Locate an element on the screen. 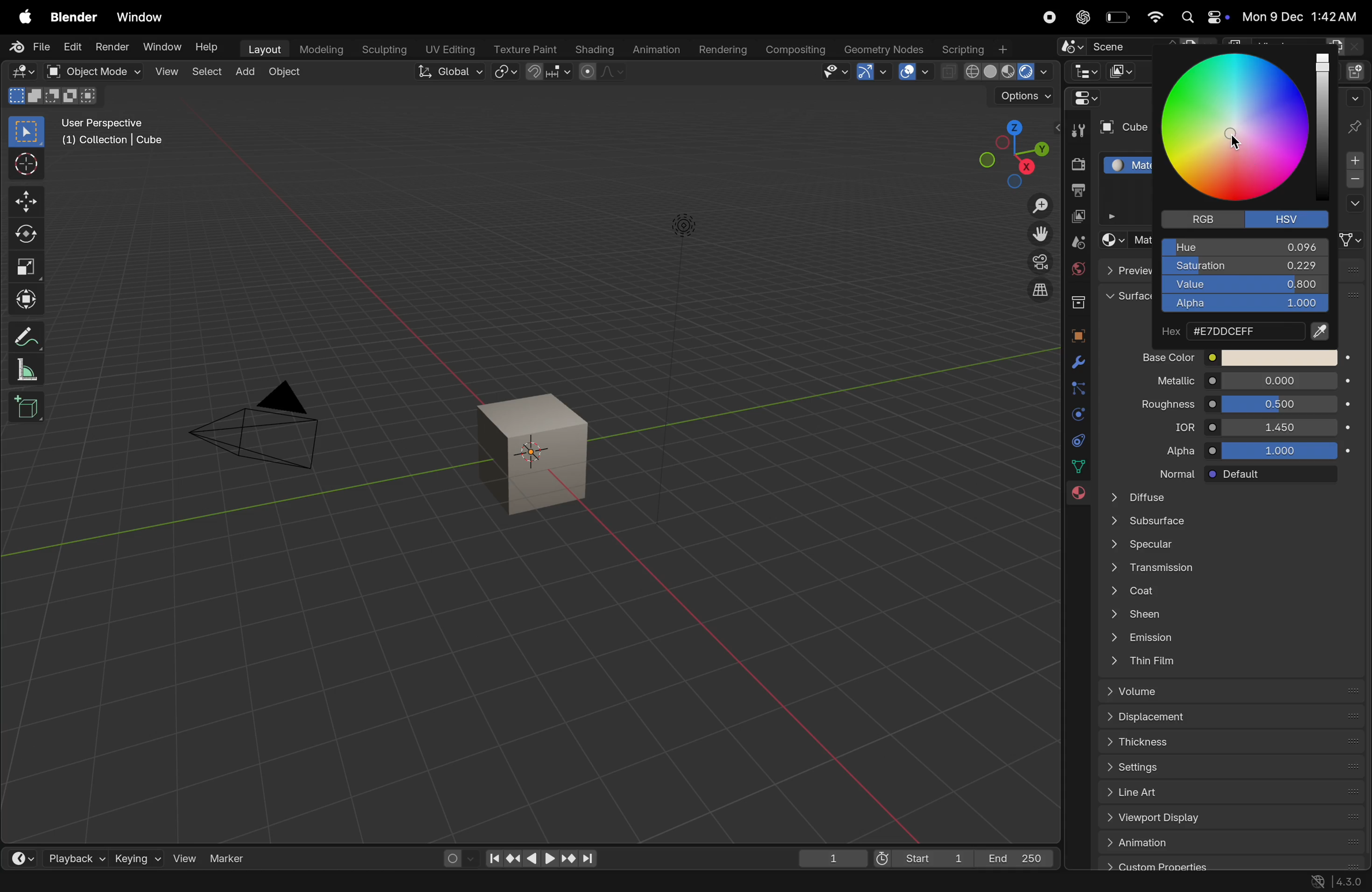 The image size is (1372, 892). visibility is located at coordinates (835, 71).